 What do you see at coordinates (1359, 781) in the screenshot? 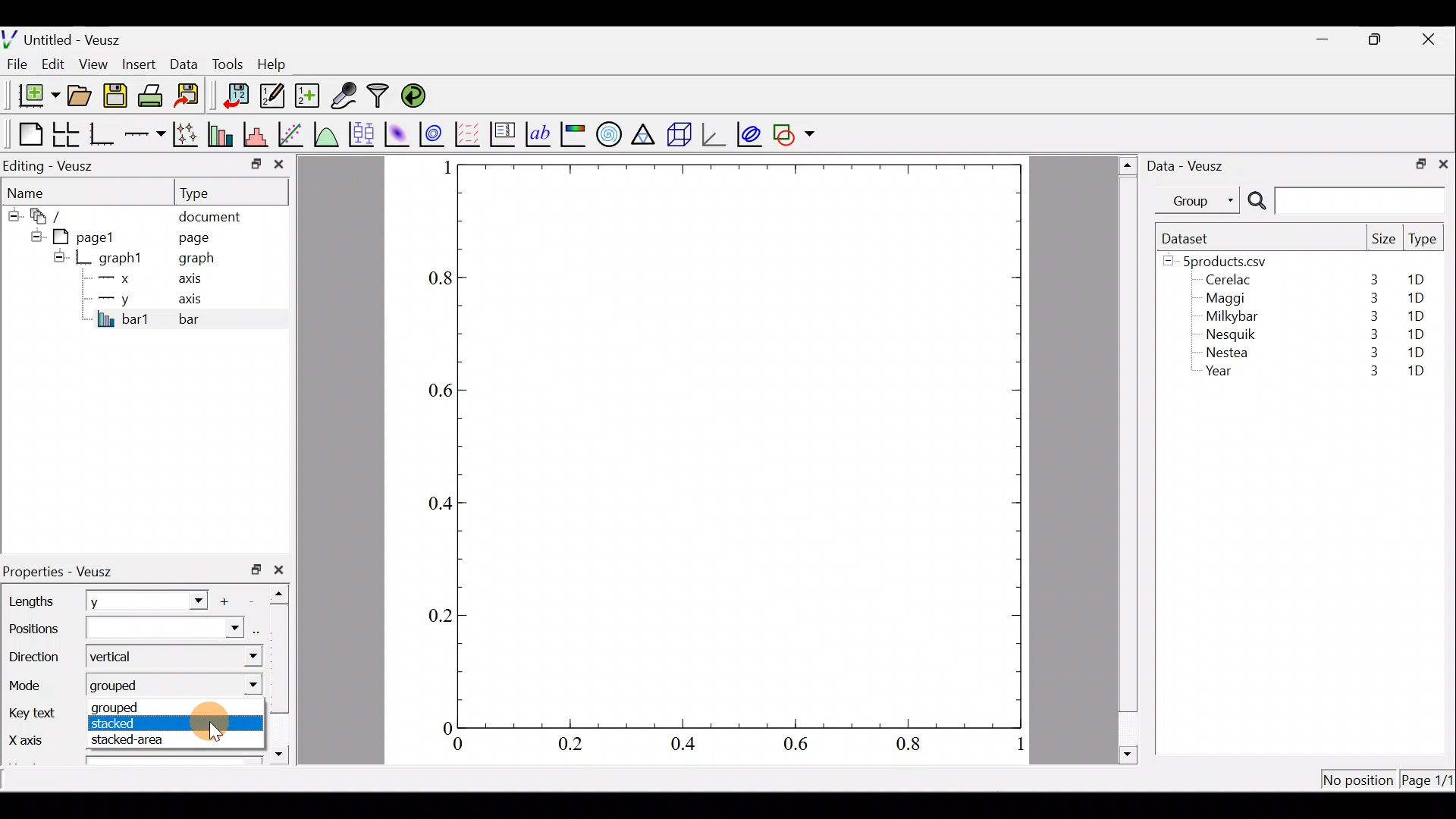
I see `No position` at bounding box center [1359, 781].